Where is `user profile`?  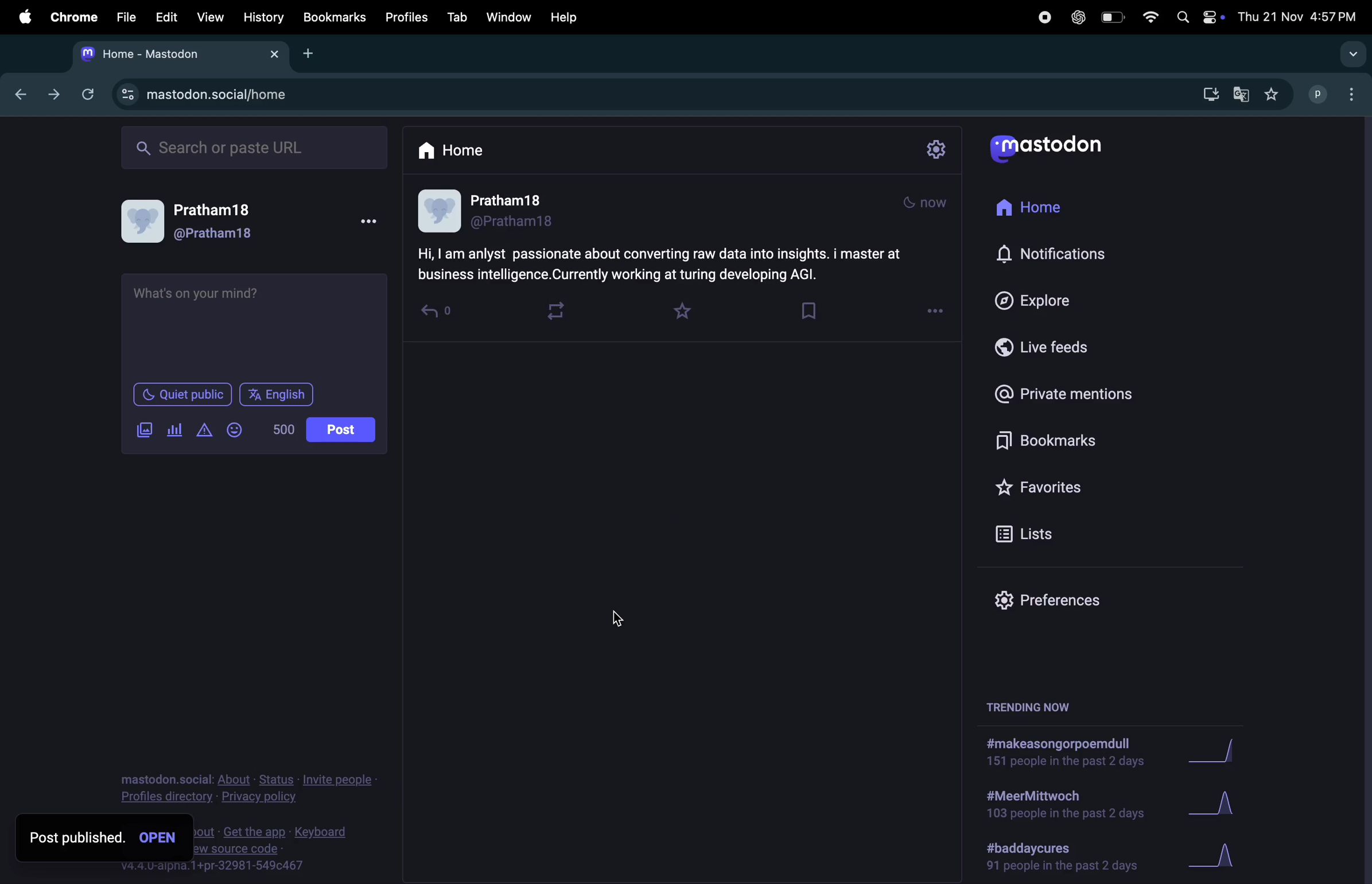 user profile is located at coordinates (256, 224).